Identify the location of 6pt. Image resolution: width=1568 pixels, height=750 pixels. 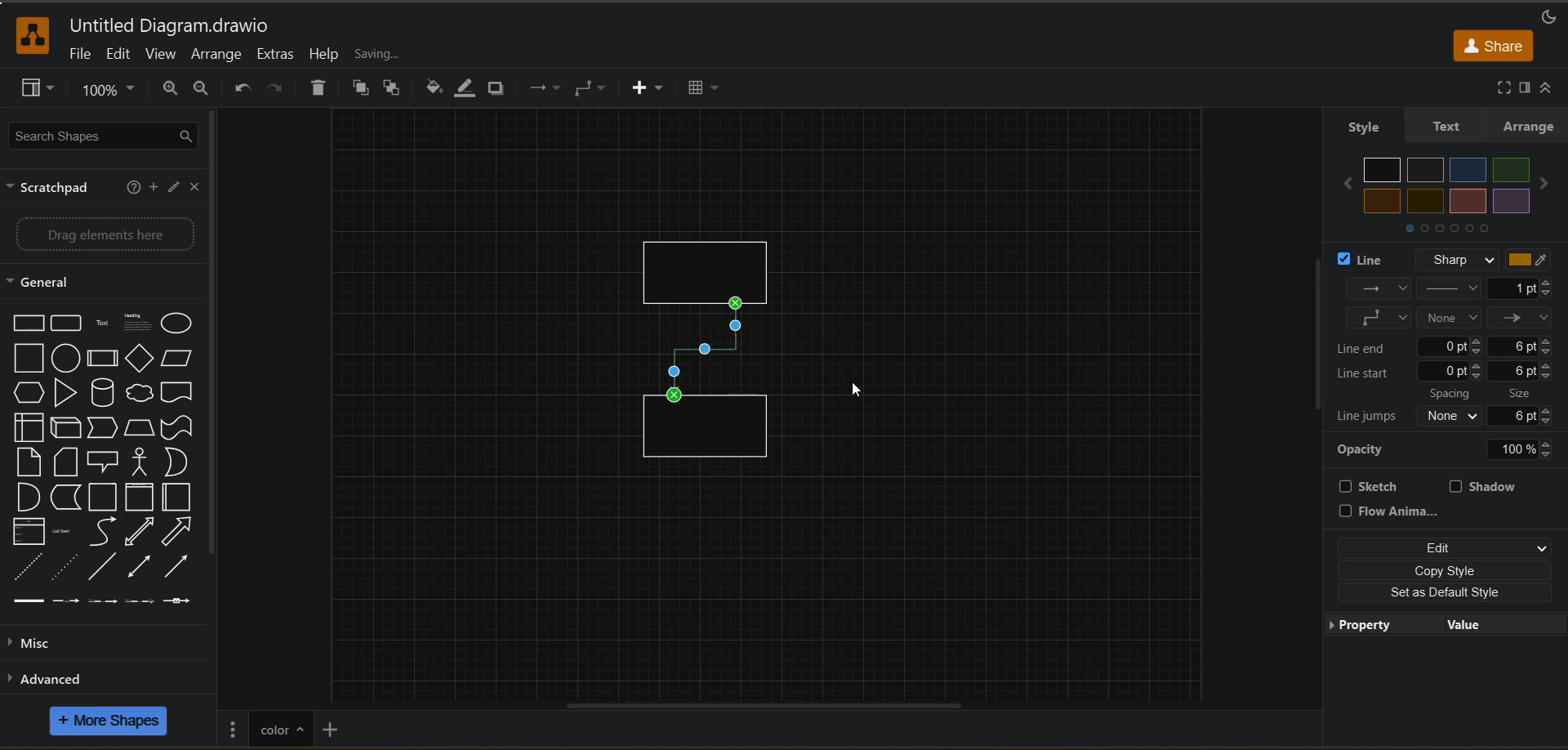
(1529, 415).